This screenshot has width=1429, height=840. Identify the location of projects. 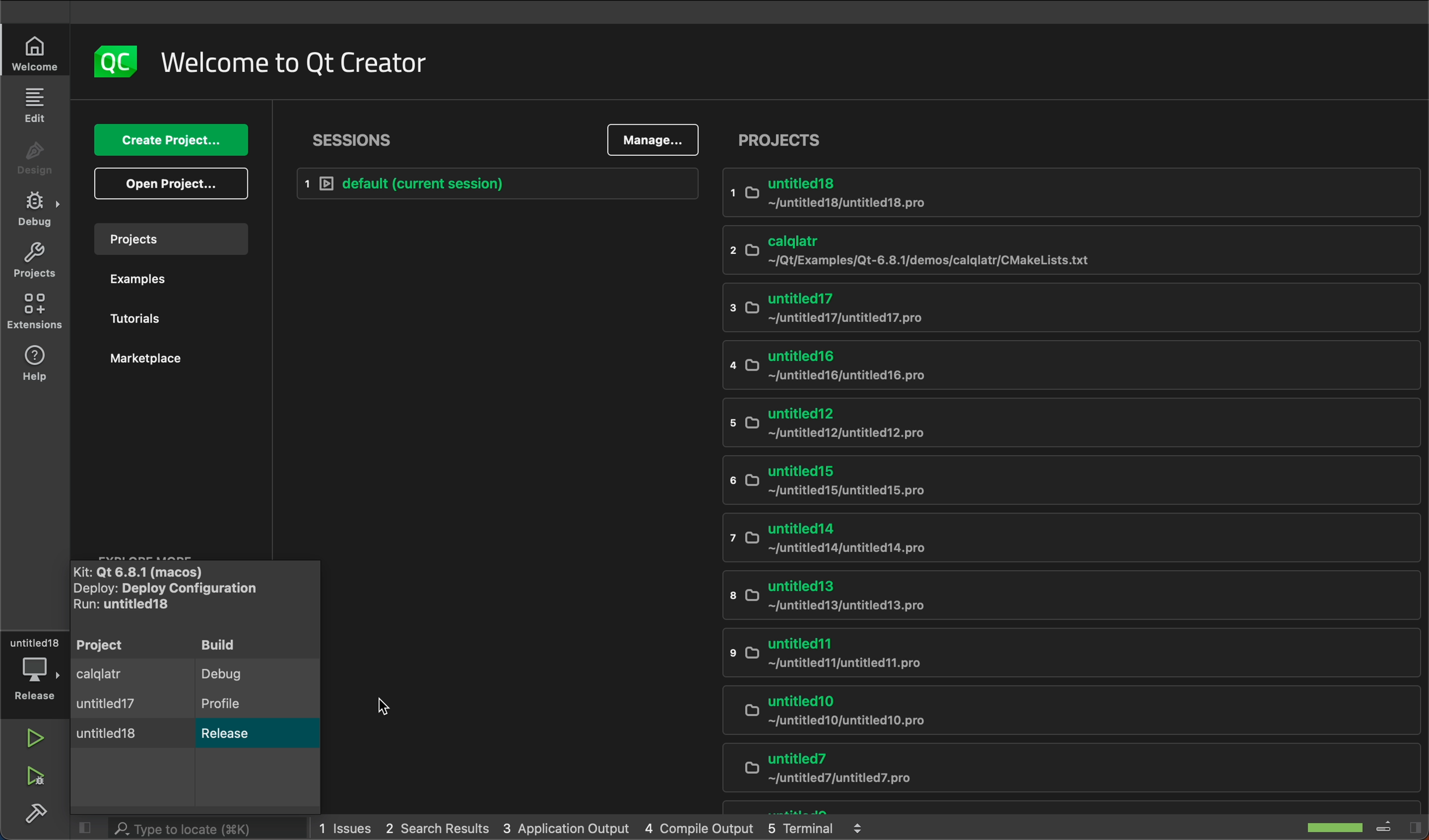
(169, 241).